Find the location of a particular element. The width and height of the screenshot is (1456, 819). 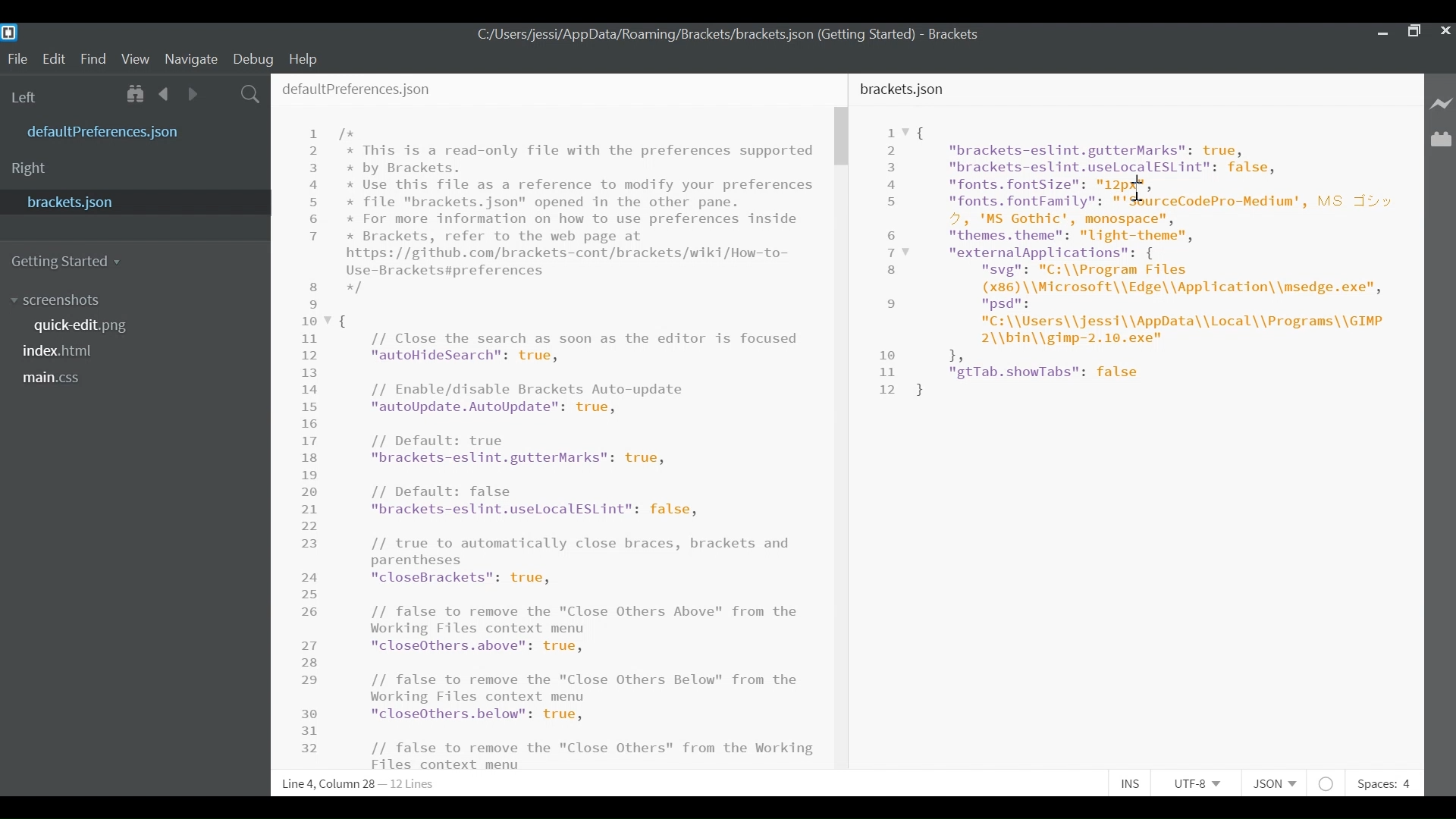

screenshot is located at coordinates (75, 301).